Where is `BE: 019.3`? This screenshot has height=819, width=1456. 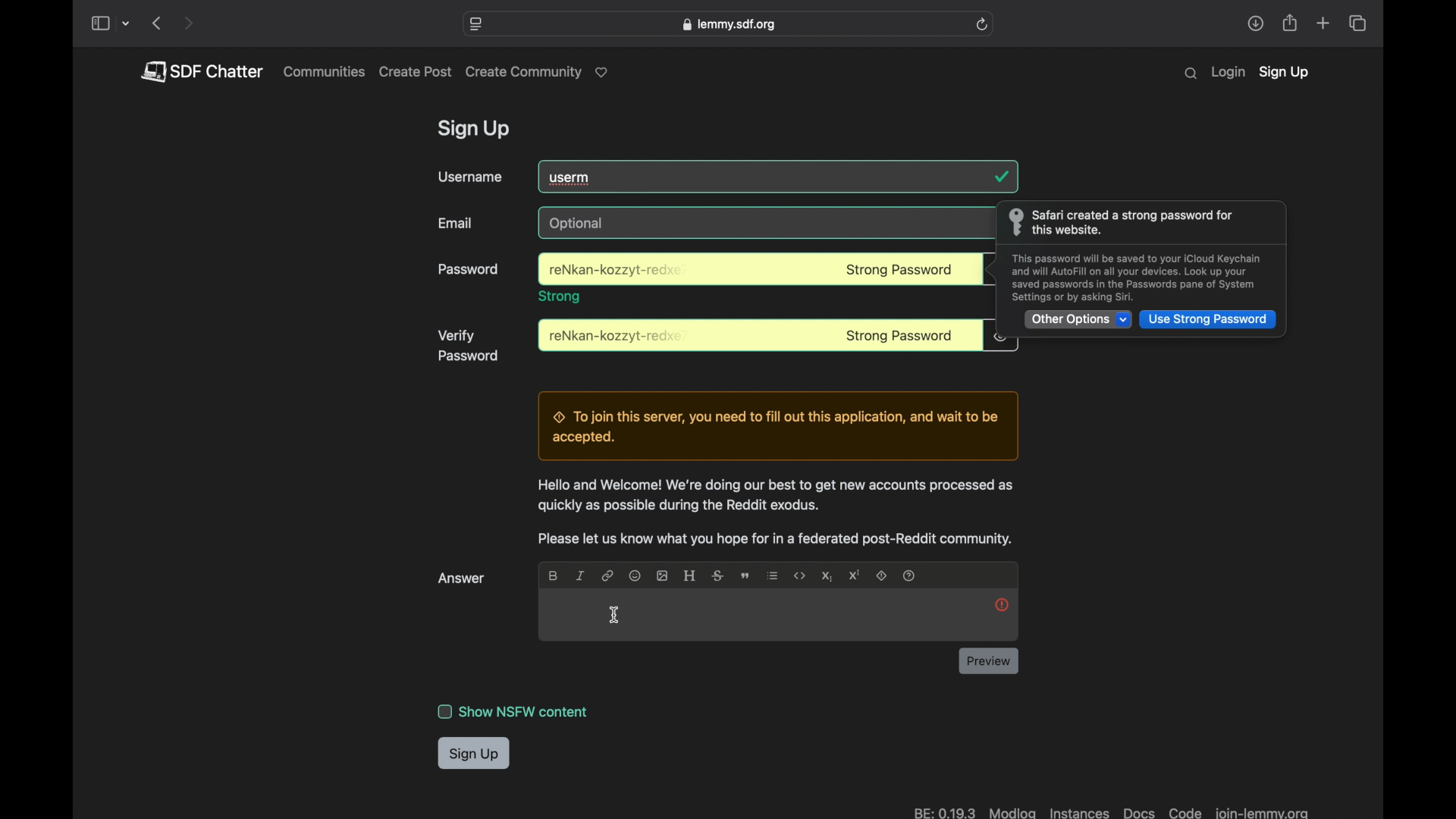 BE: 019.3 is located at coordinates (943, 811).